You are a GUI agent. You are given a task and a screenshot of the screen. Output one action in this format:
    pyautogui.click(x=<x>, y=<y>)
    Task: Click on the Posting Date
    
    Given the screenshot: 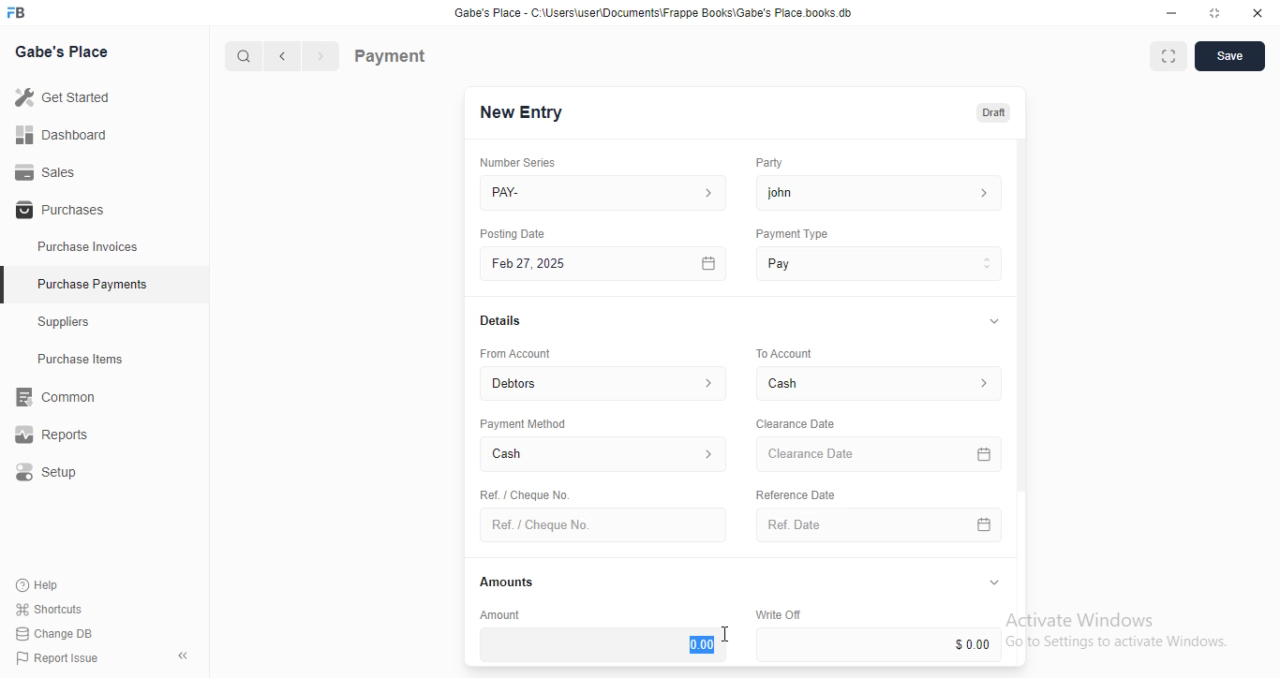 What is the action you would take?
    pyautogui.click(x=514, y=233)
    